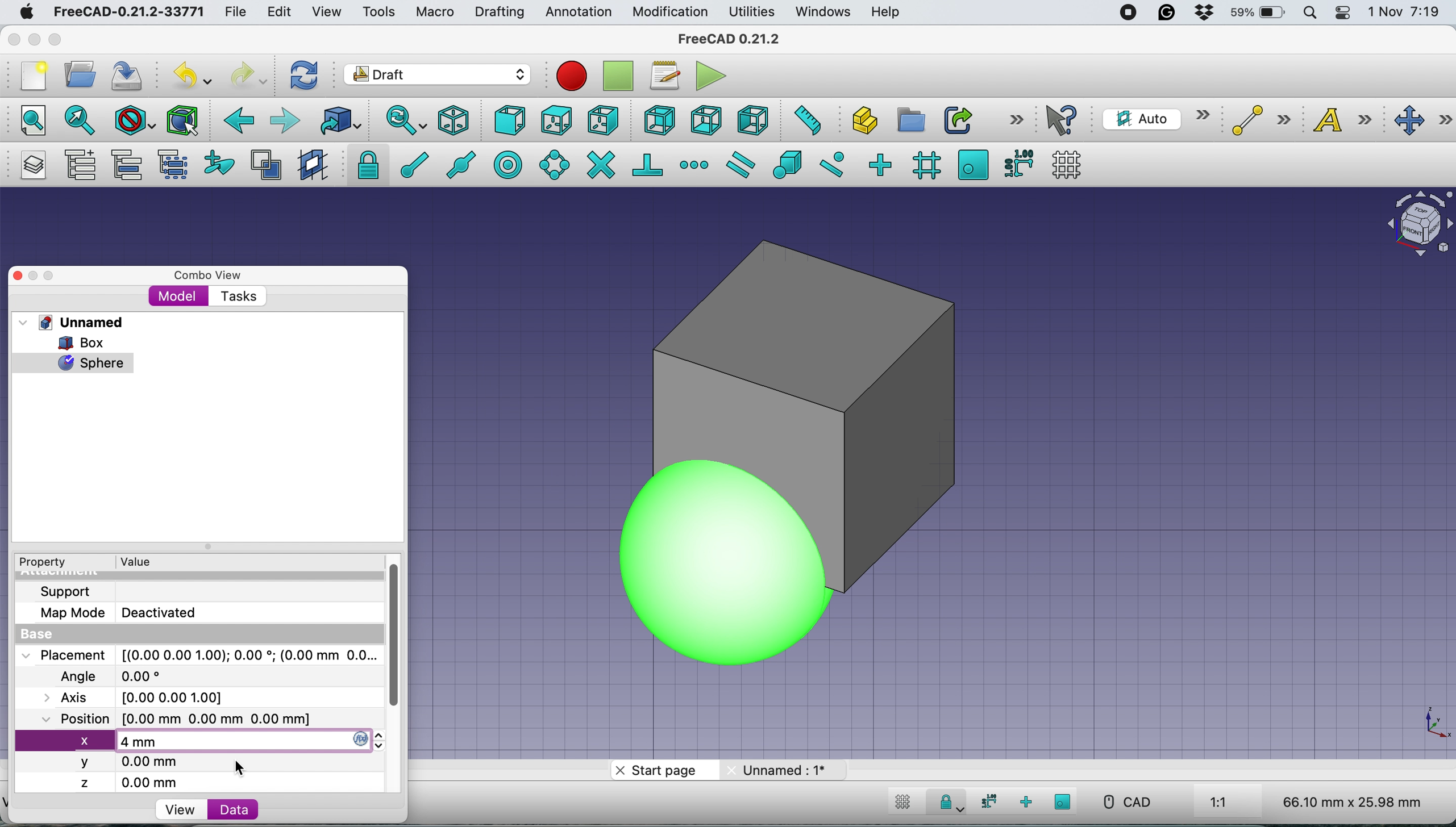  Describe the element at coordinates (89, 343) in the screenshot. I see `box` at that location.